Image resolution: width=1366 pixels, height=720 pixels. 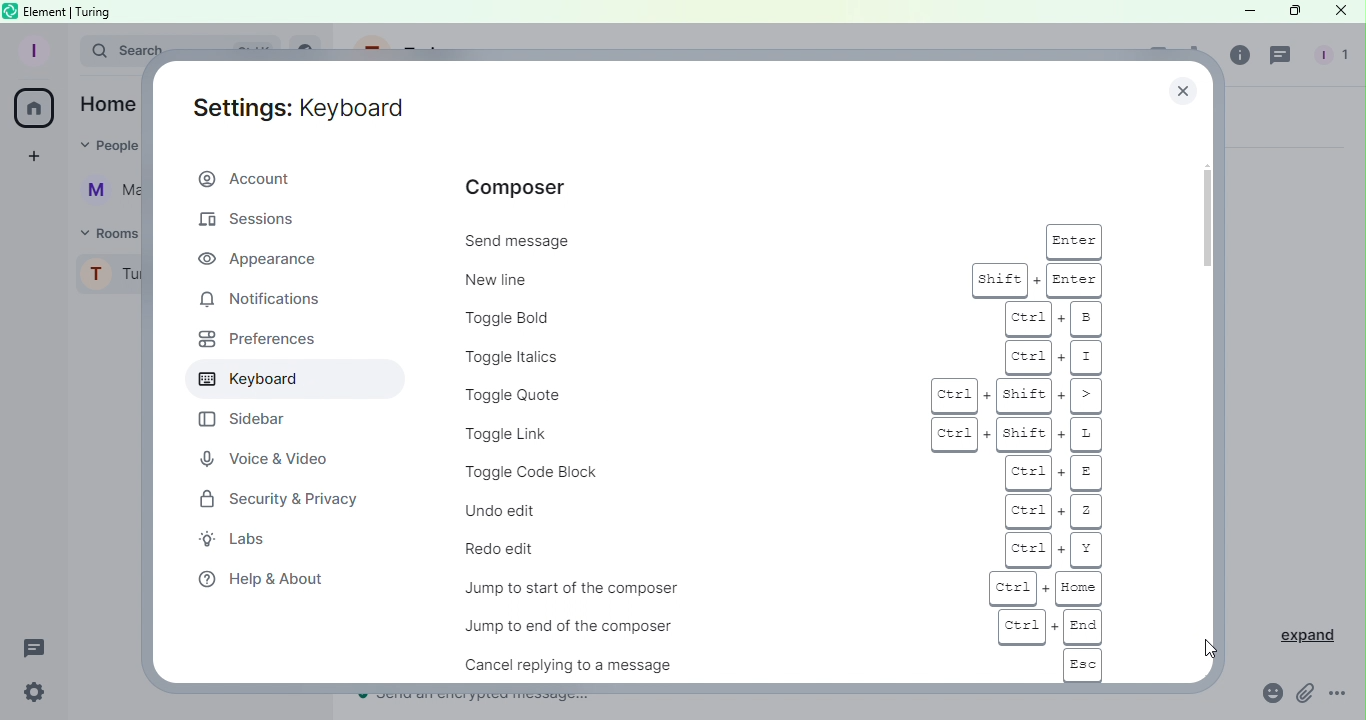 What do you see at coordinates (688, 242) in the screenshot?
I see `Send message ` at bounding box center [688, 242].